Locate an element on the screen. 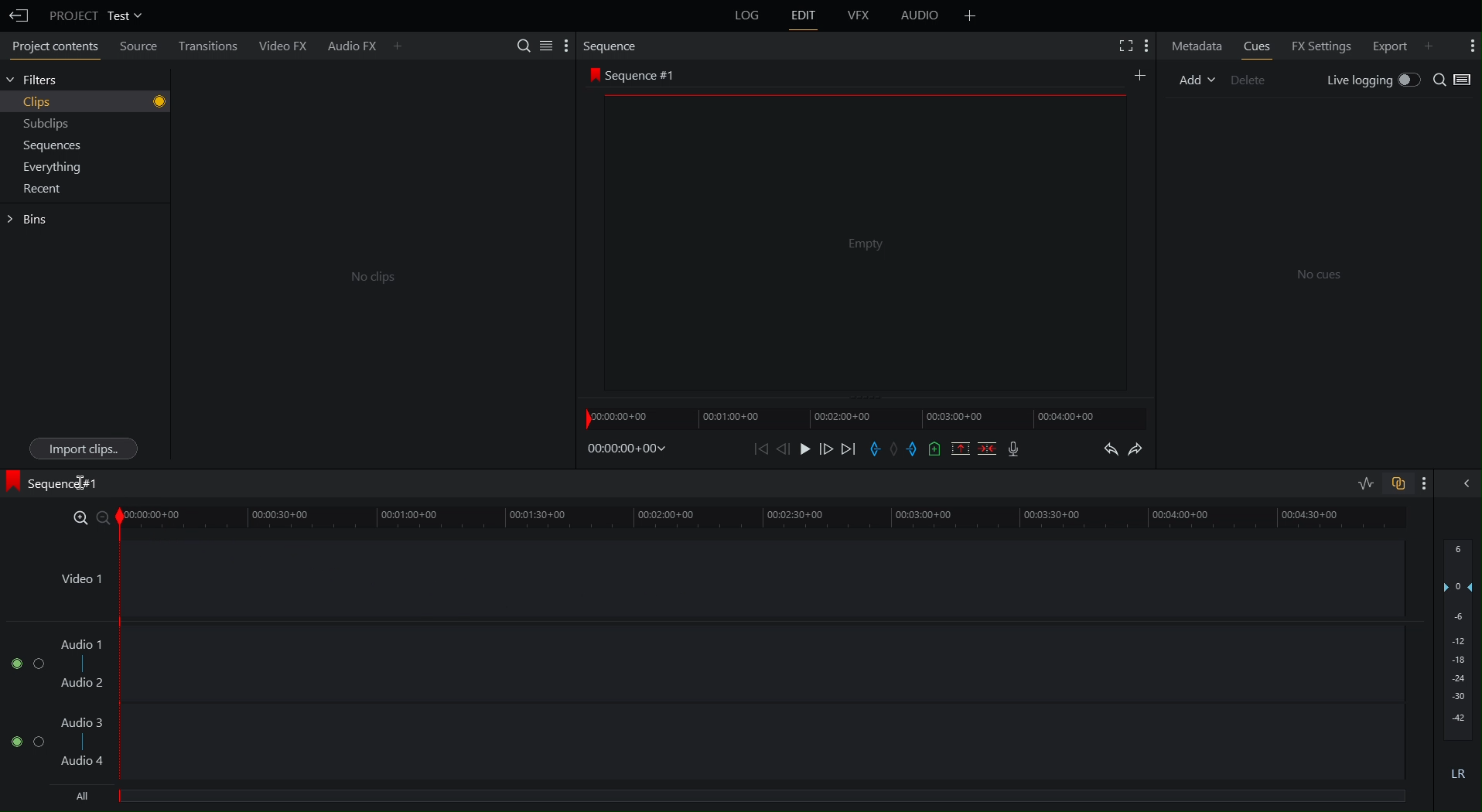  Delete is located at coordinates (1250, 82).